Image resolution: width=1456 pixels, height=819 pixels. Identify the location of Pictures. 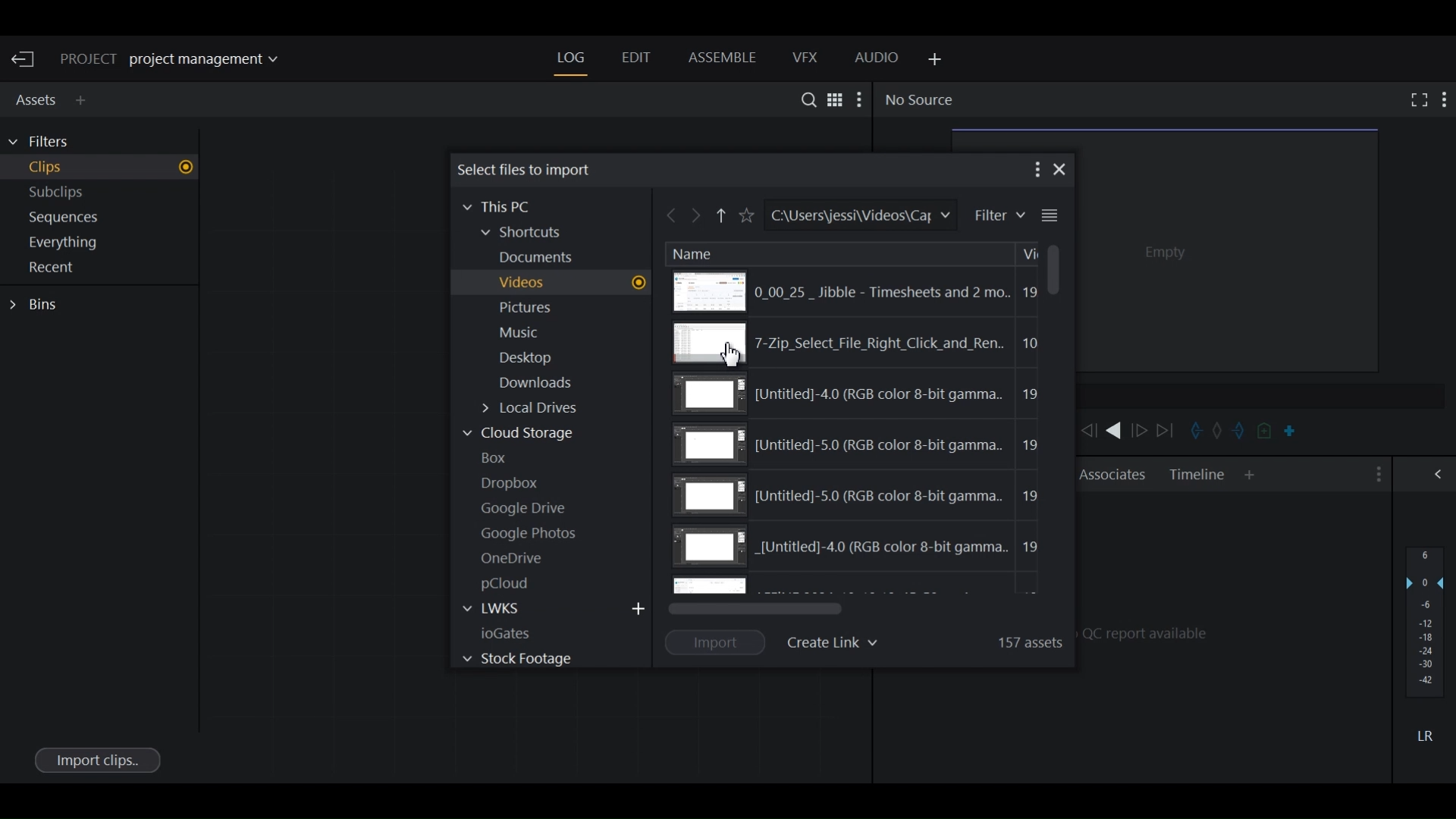
(535, 309).